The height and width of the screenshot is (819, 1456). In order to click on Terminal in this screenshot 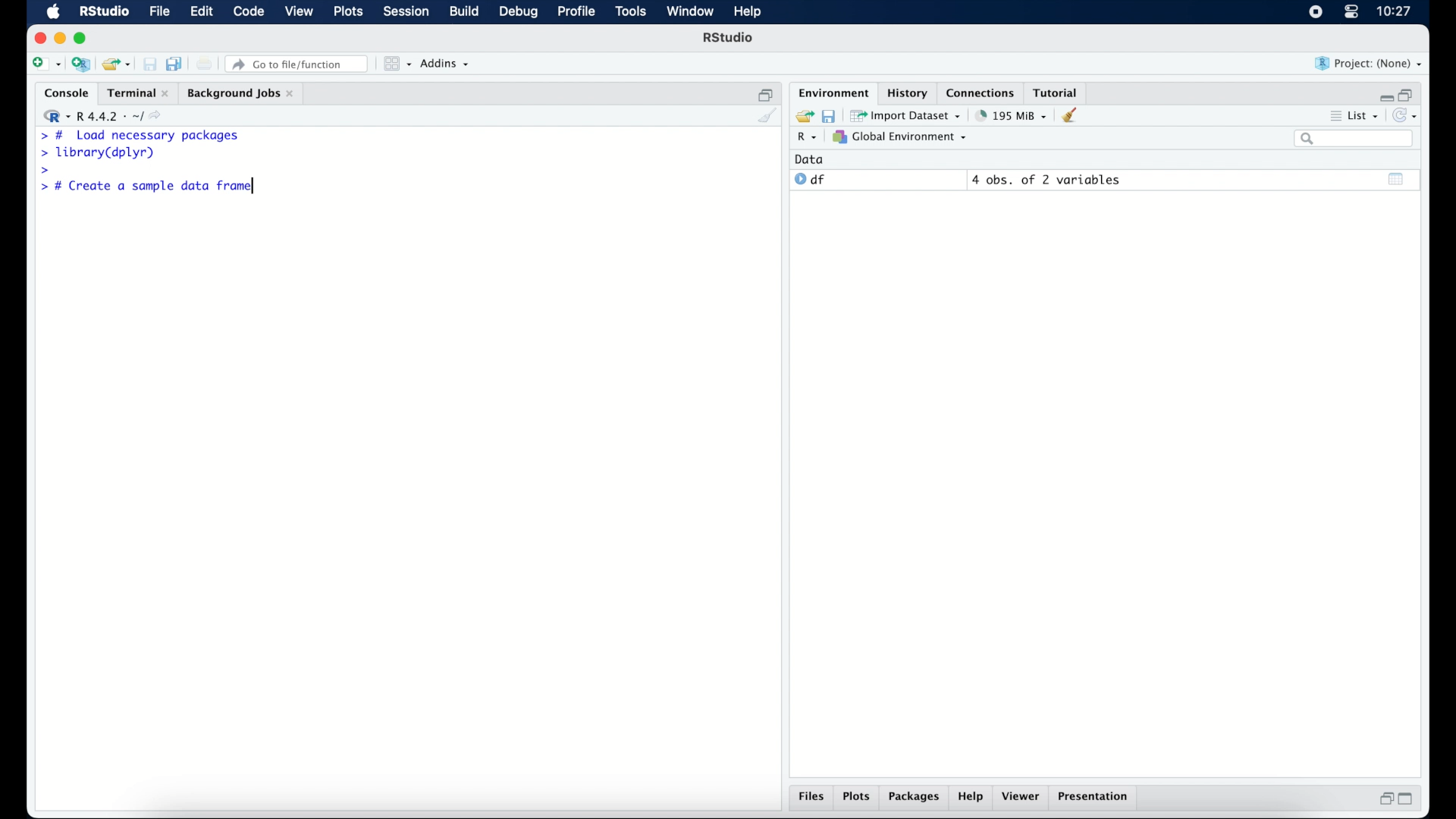, I will do `click(133, 93)`.